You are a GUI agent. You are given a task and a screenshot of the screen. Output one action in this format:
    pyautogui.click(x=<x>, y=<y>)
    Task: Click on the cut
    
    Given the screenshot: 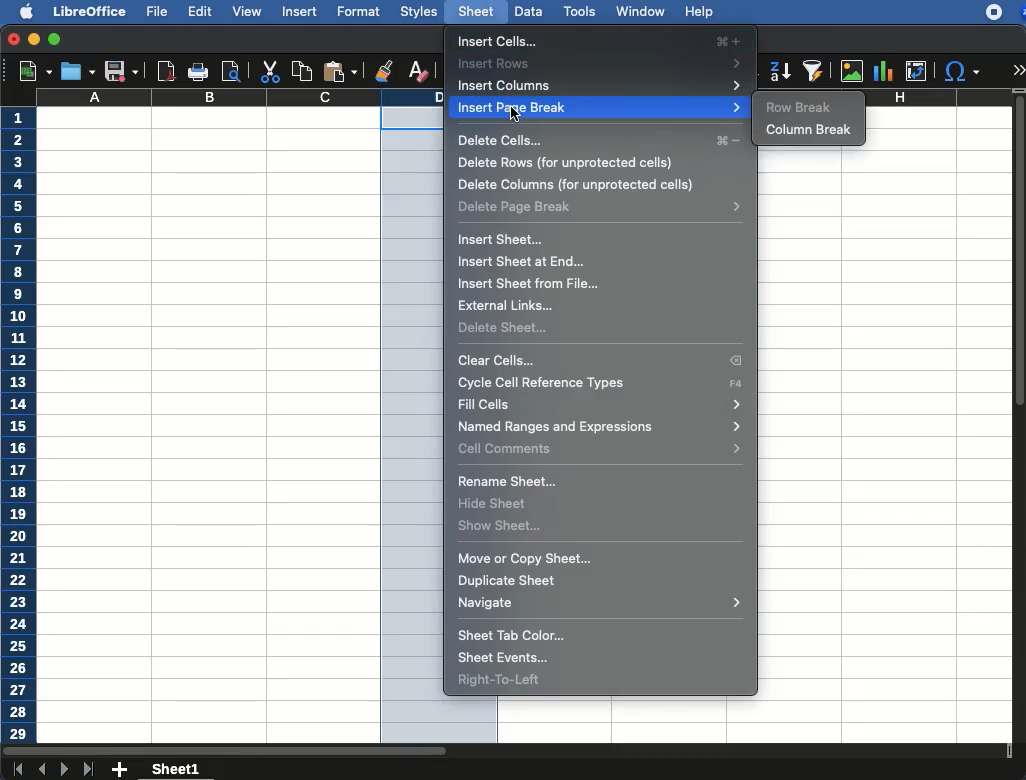 What is the action you would take?
    pyautogui.click(x=269, y=71)
    